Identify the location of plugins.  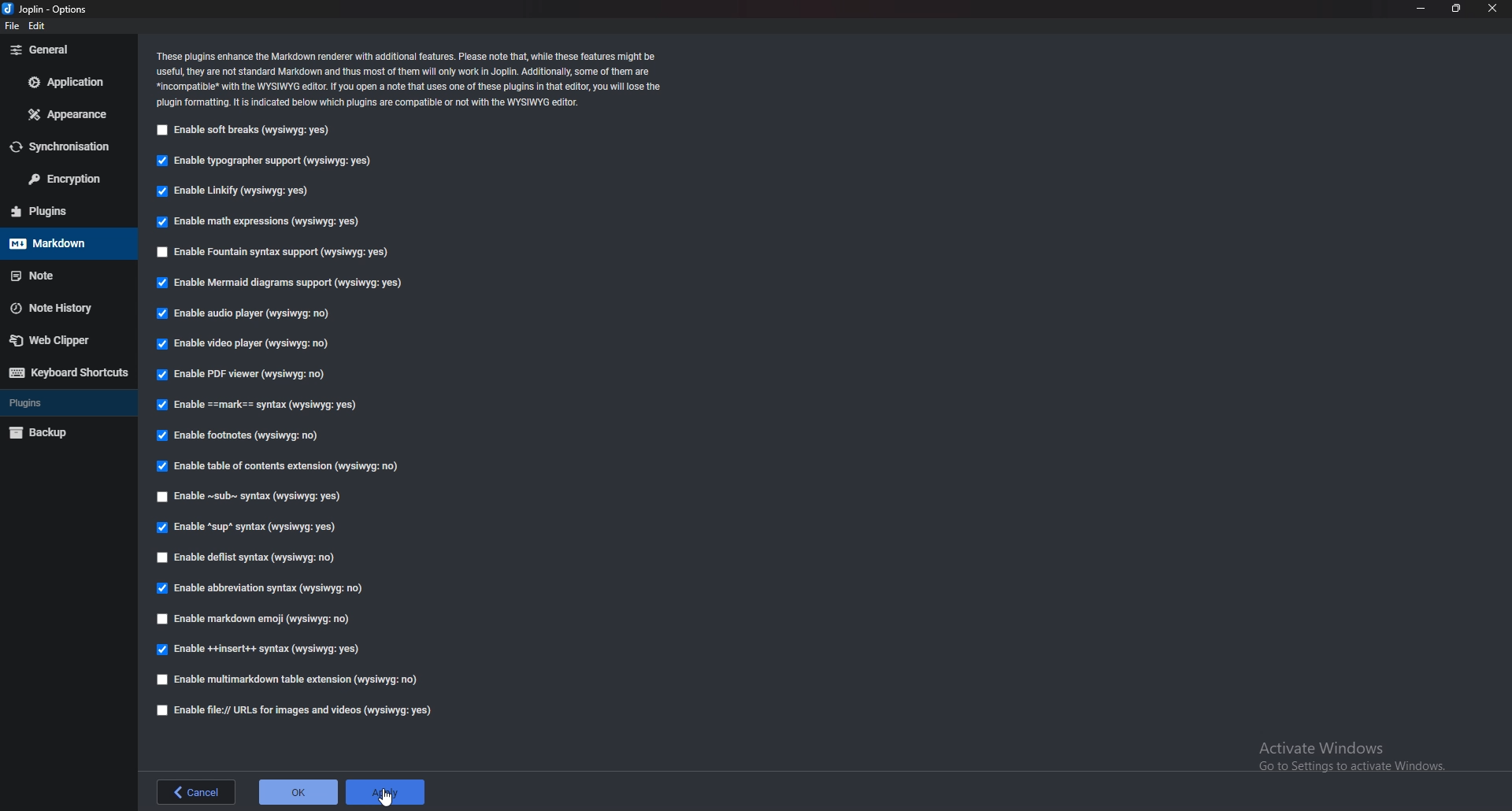
(67, 211).